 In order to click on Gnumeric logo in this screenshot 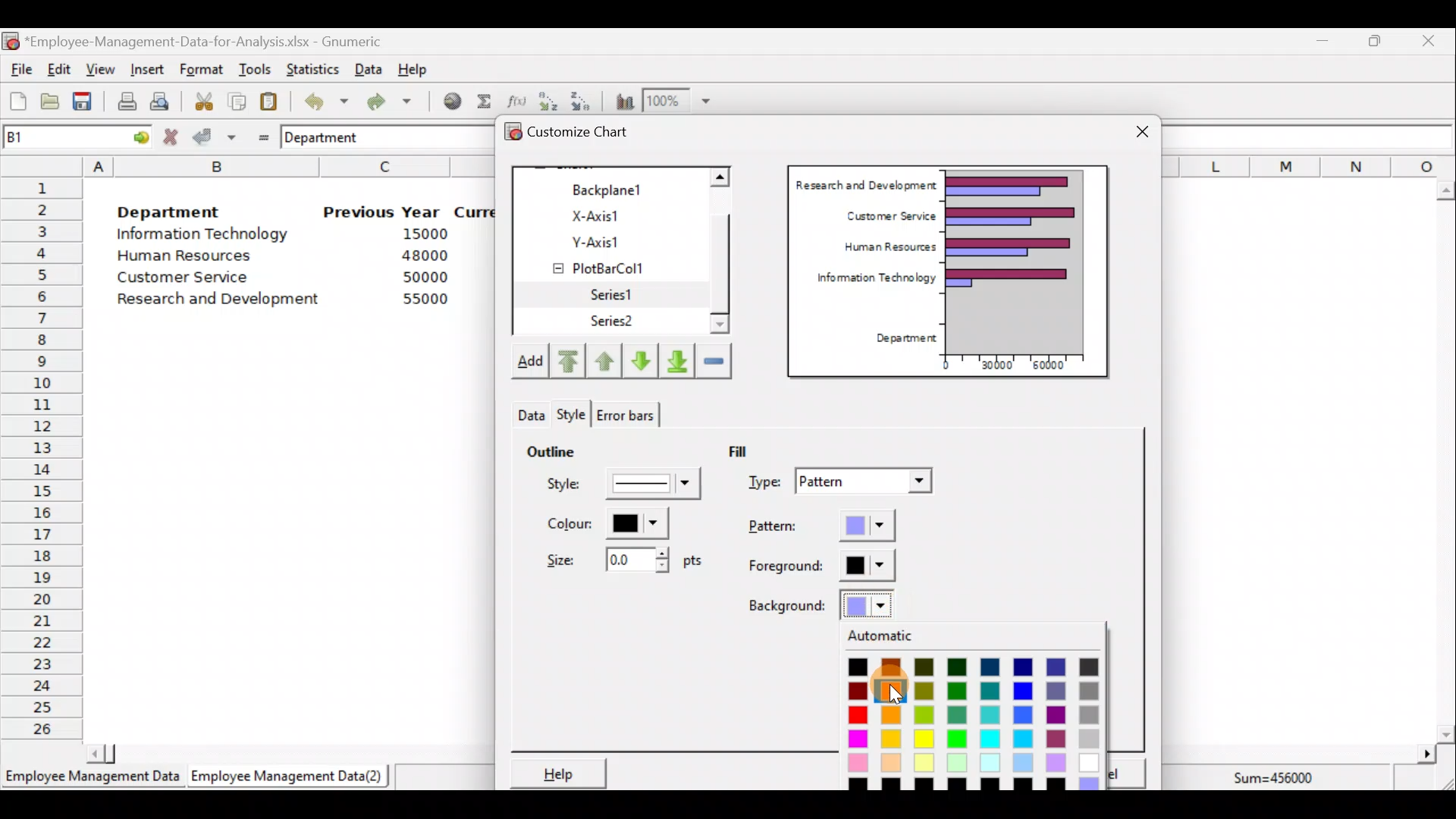, I will do `click(11, 42)`.